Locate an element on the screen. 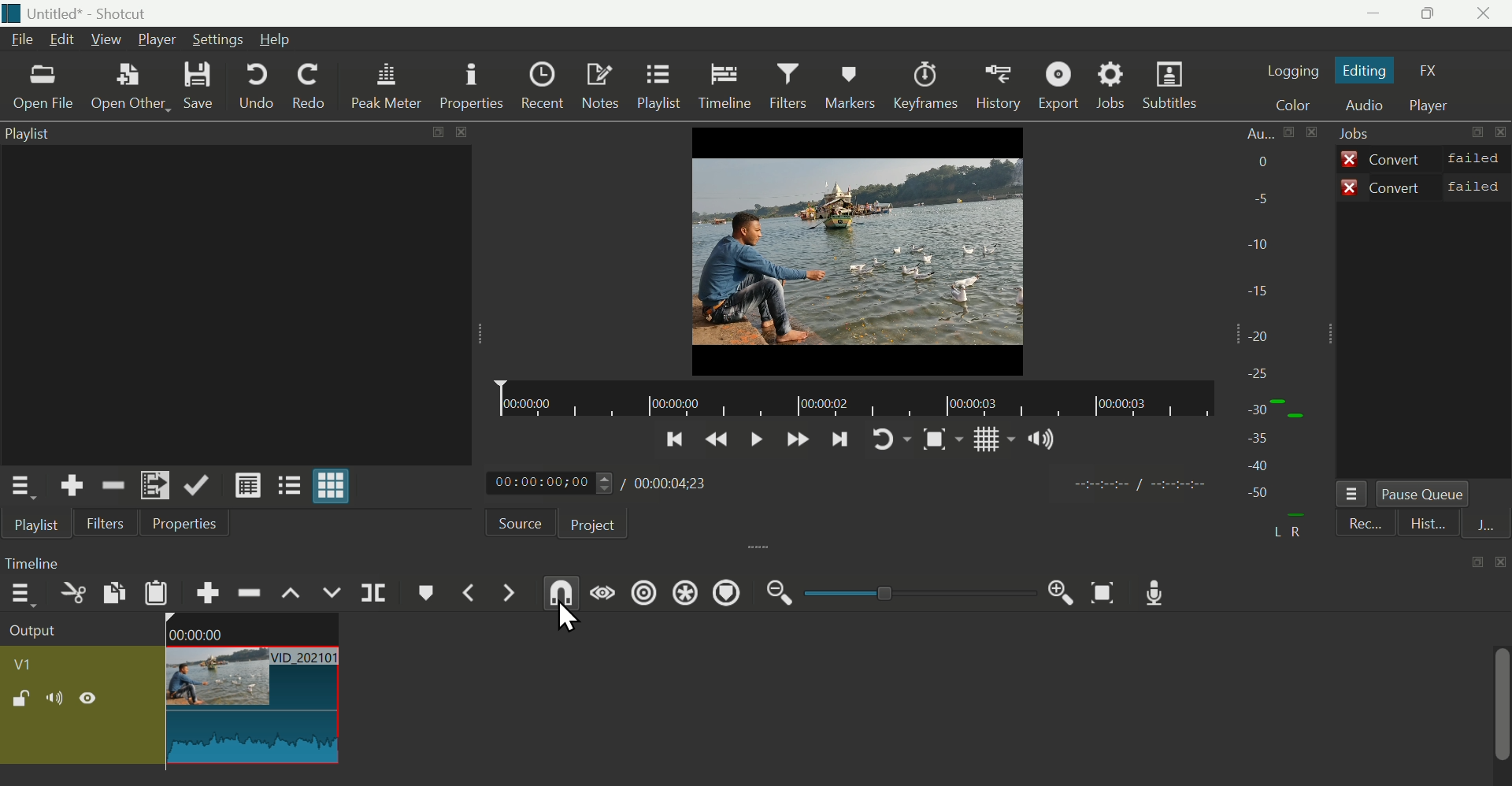 The image size is (1512, 786). restore is located at coordinates (433, 133).